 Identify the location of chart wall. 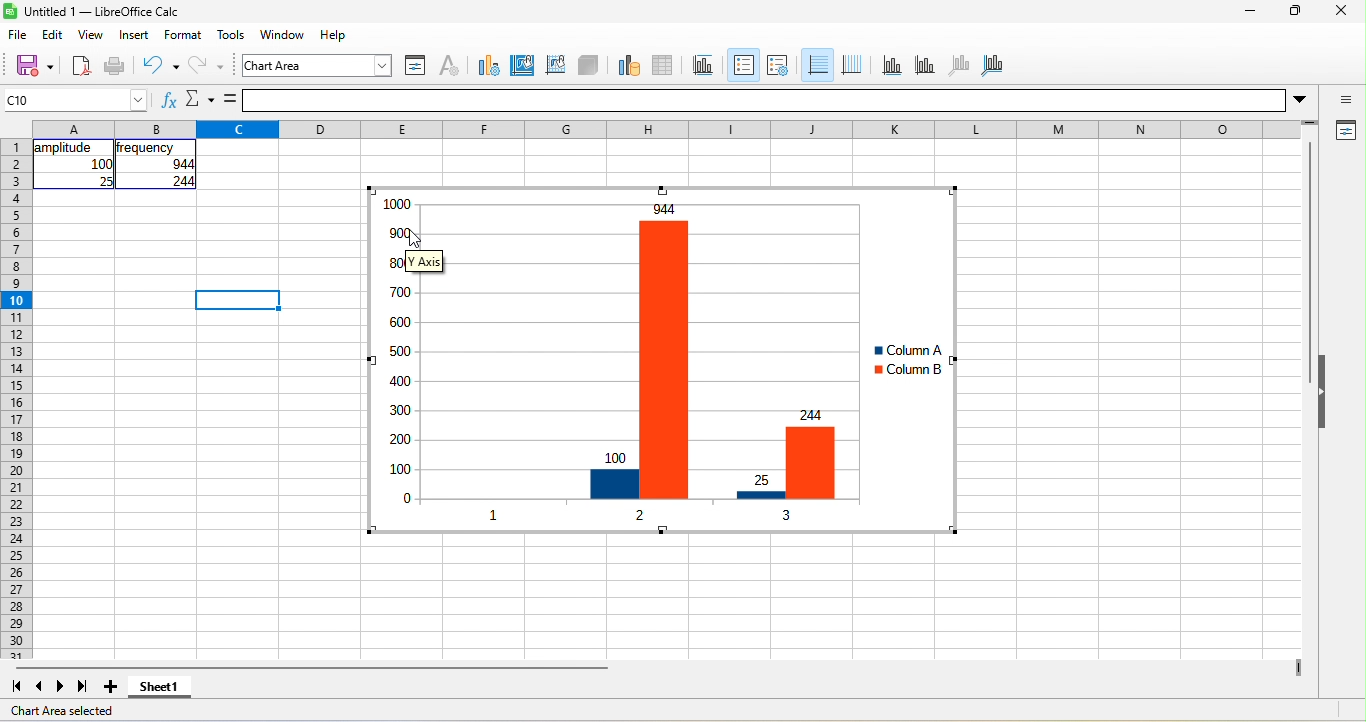
(555, 63).